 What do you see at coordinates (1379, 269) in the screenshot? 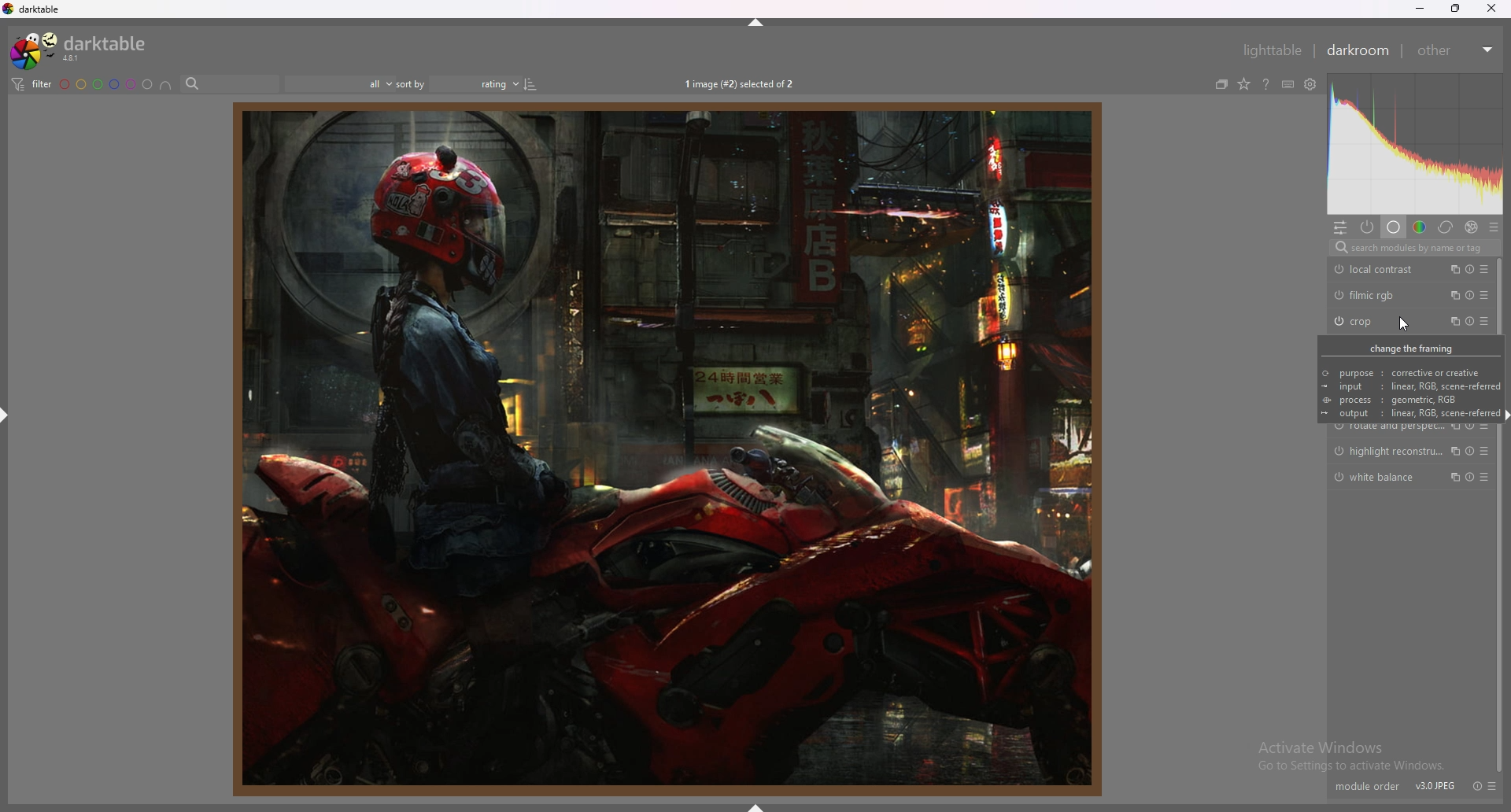
I see `local contrast` at bounding box center [1379, 269].